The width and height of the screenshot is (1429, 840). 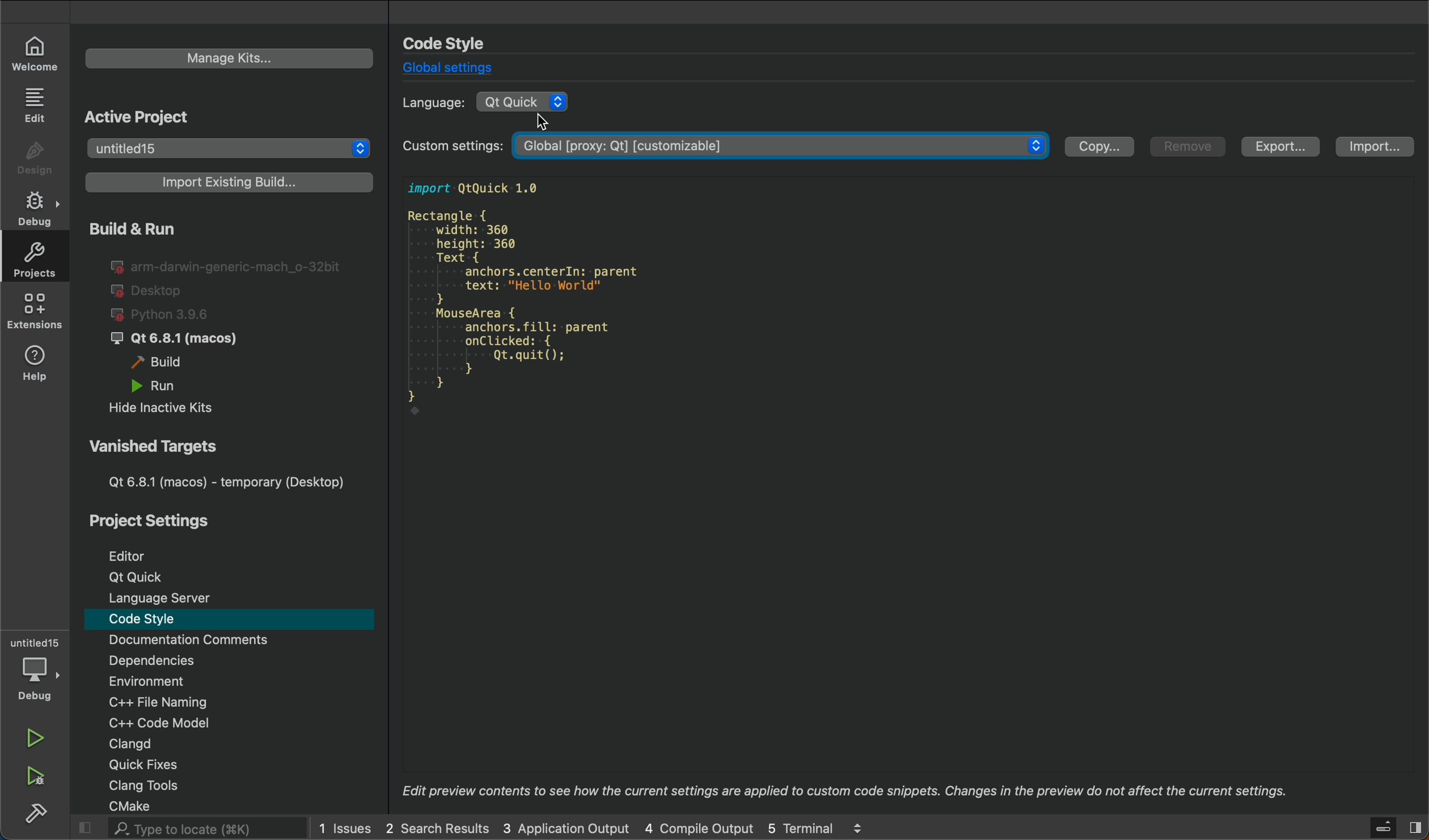 I want to click on debugger, so click(x=35, y=668).